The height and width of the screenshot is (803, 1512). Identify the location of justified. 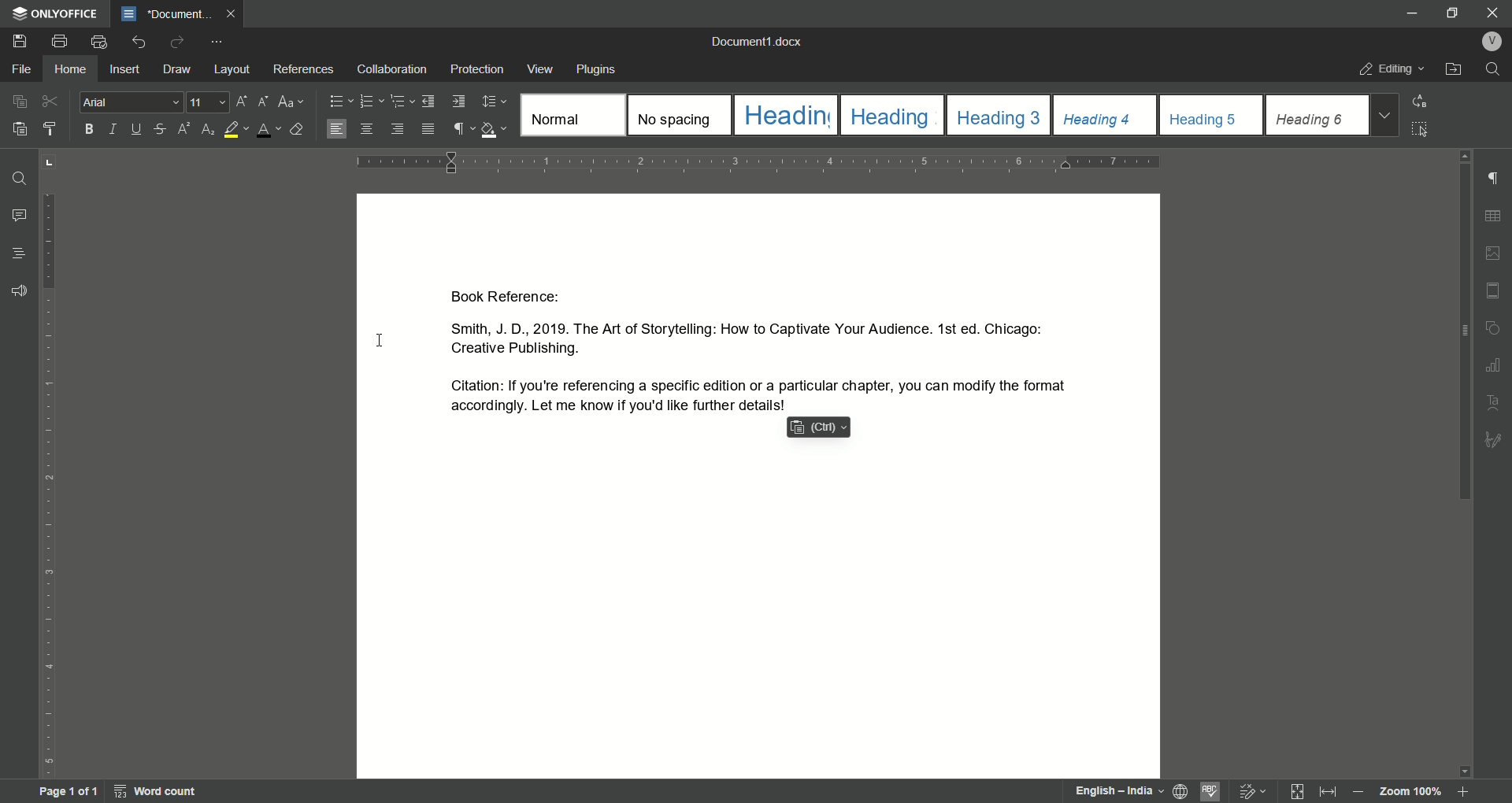
(428, 129).